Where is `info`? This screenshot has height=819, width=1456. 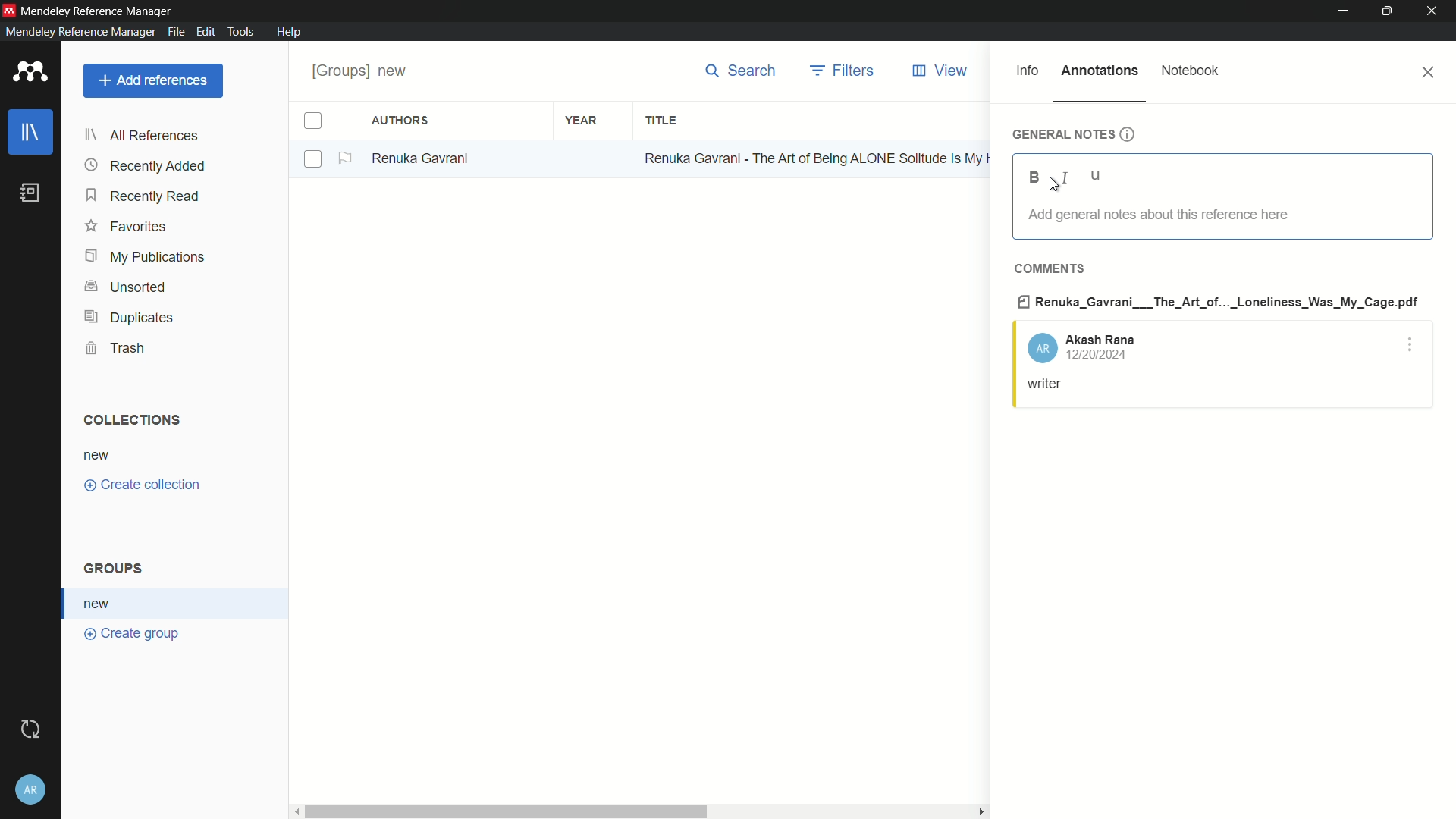 info is located at coordinates (1028, 71).